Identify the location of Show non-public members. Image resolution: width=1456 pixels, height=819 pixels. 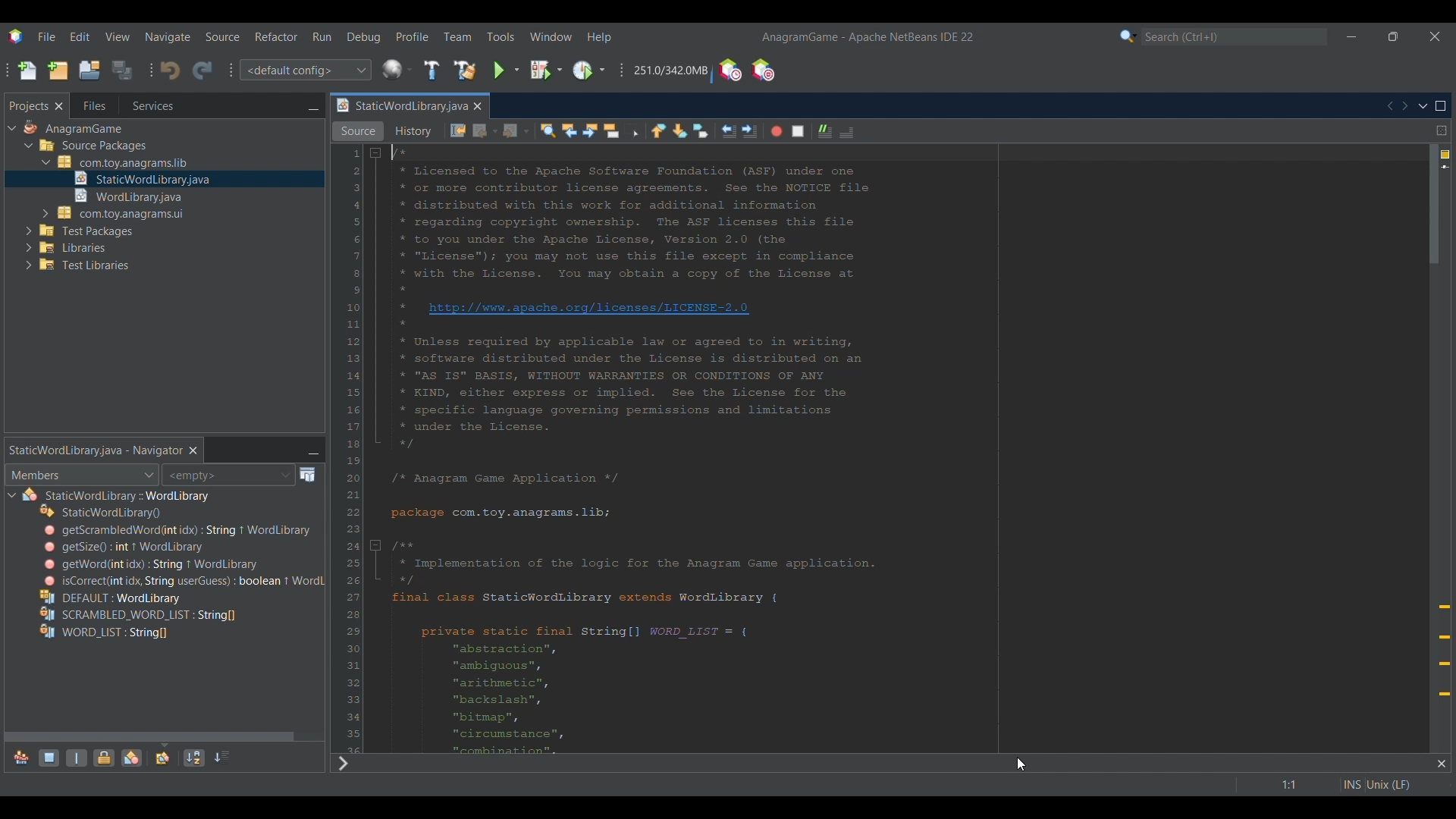
(104, 758).